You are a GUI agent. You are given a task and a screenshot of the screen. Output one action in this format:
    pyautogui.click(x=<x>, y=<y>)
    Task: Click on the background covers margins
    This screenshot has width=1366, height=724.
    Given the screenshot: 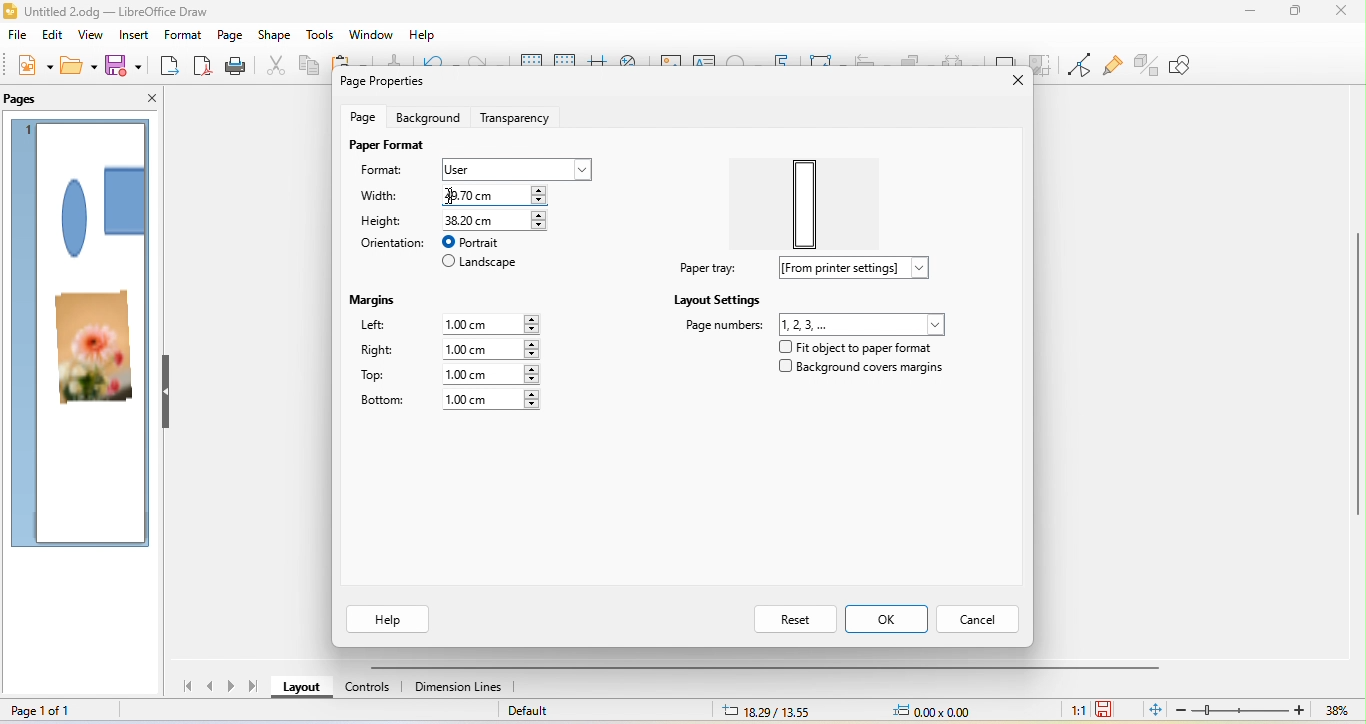 What is the action you would take?
    pyautogui.click(x=868, y=371)
    